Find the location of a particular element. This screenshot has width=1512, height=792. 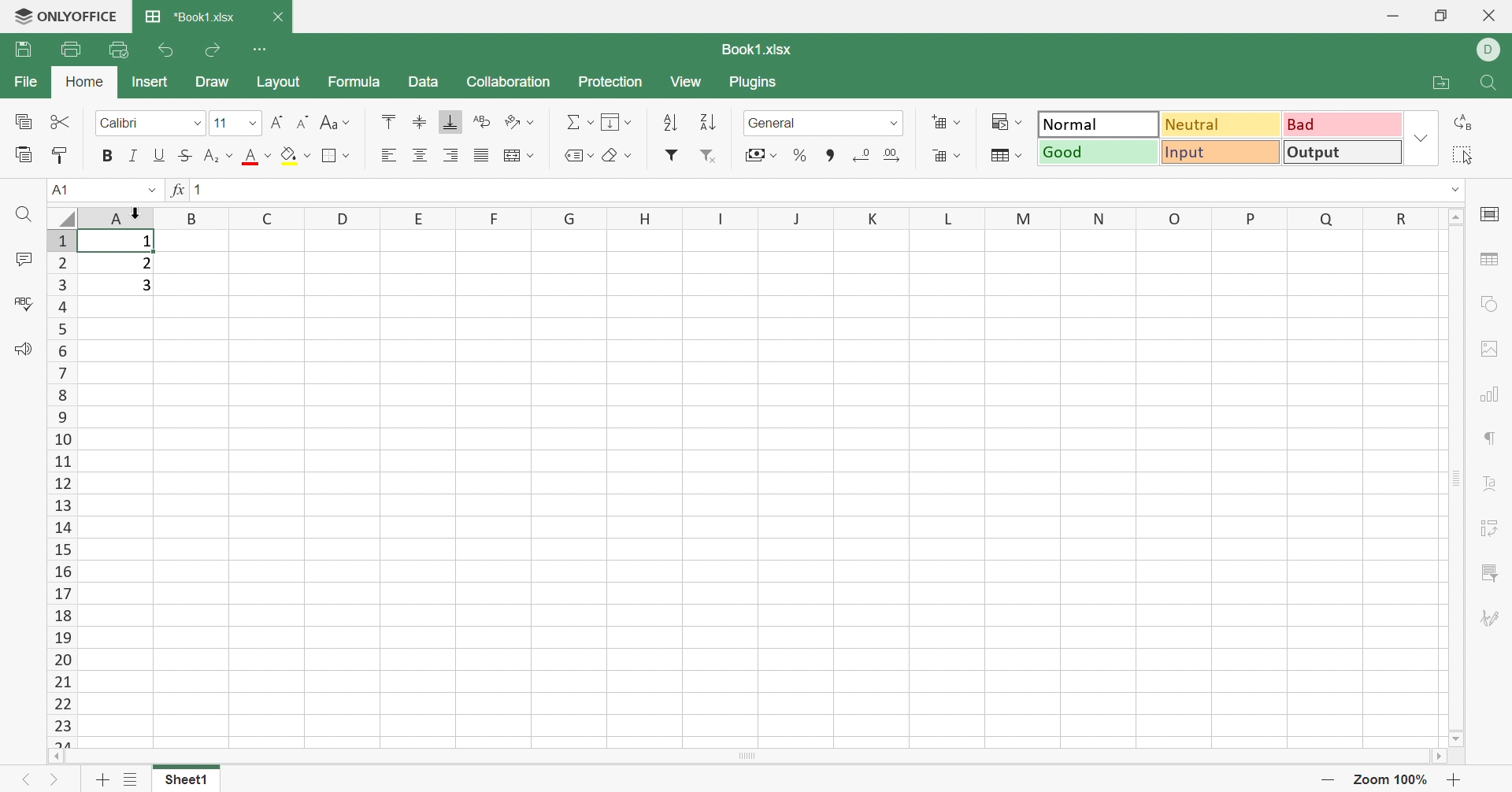

Sort ascending is located at coordinates (670, 124).